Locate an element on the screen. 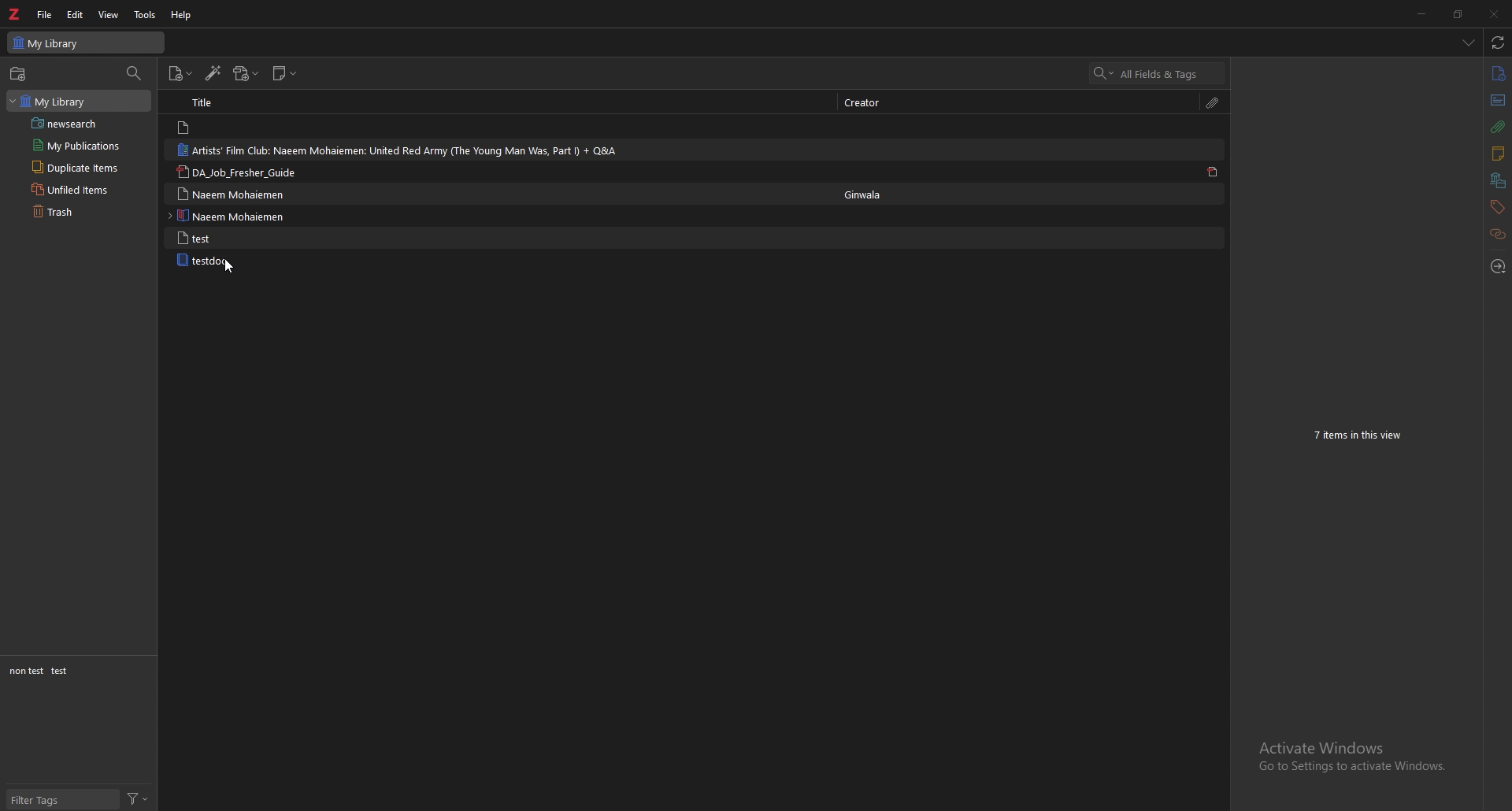 The image size is (1512, 811). da_job_fresher_guide is located at coordinates (238, 172).